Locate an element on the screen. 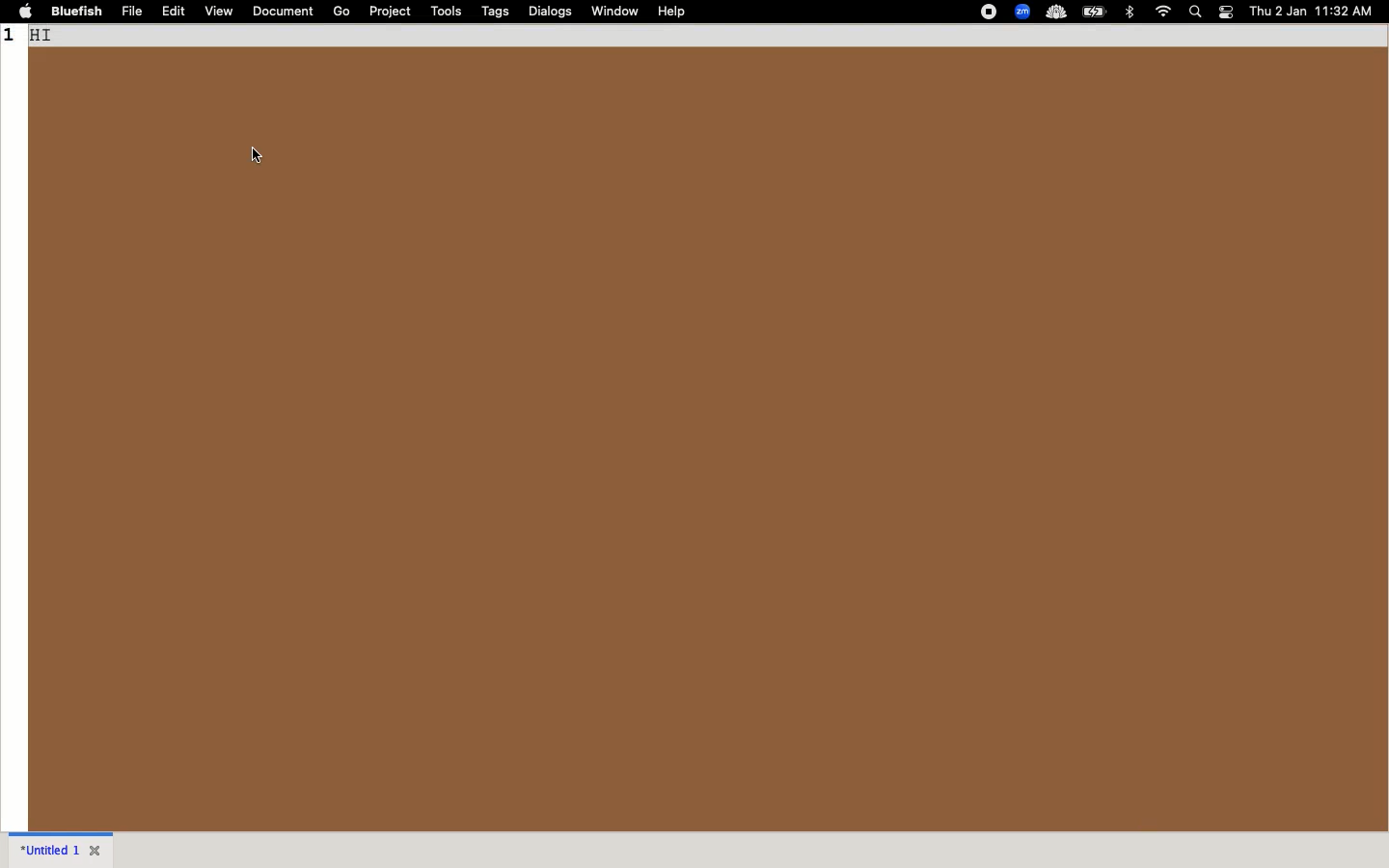 The width and height of the screenshot is (1389, 868). help is located at coordinates (673, 12).